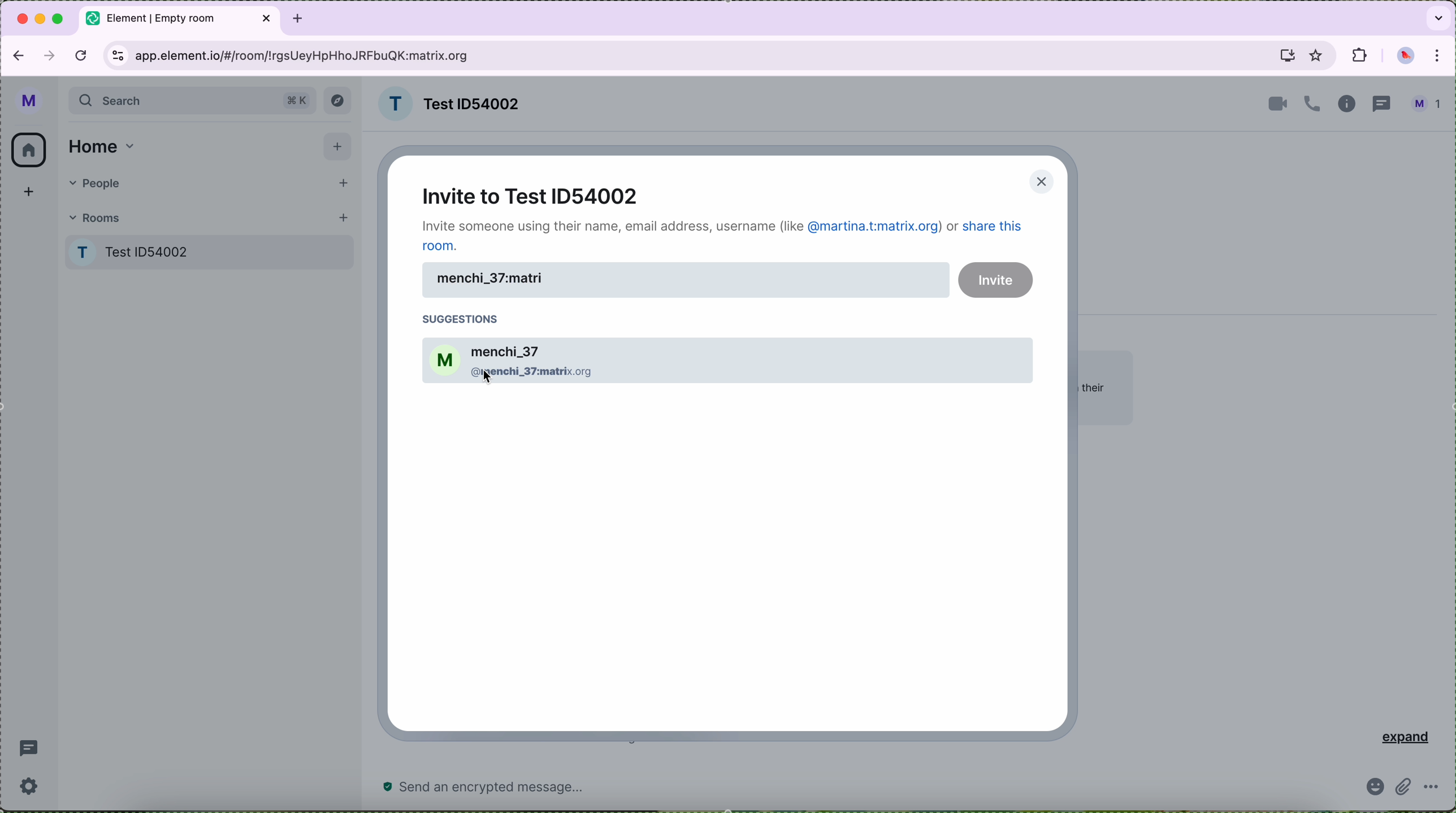 The width and height of the screenshot is (1456, 813). What do you see at coordinates (1432, 788) in the screenshot?
I see `more options` at bounding box center [1432, 788].